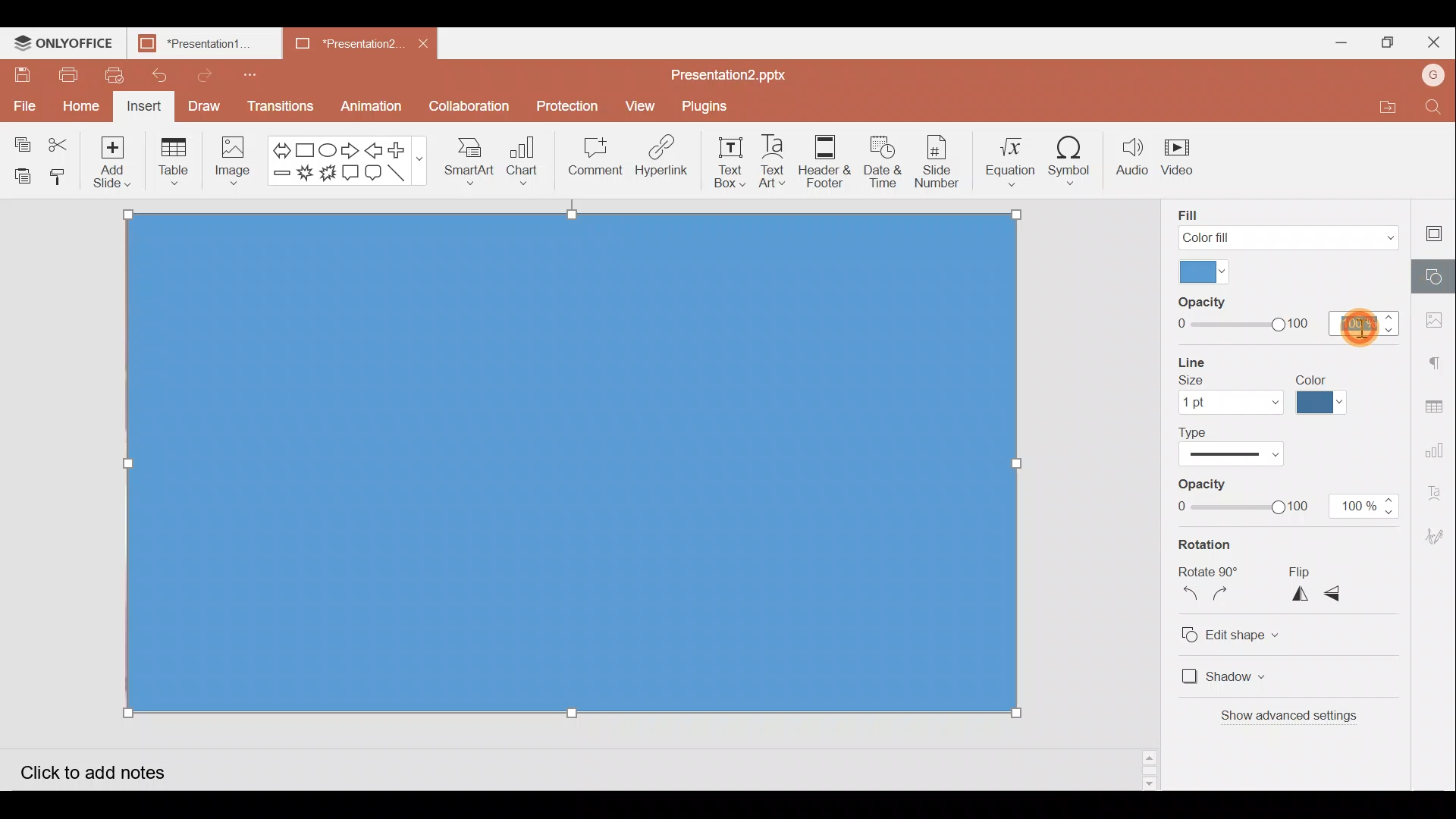 The height and width of the screenshot is (819, 1456). Describe the element at coordinates (309, 146) in the screenshot. I see `Rectangle` at that location.